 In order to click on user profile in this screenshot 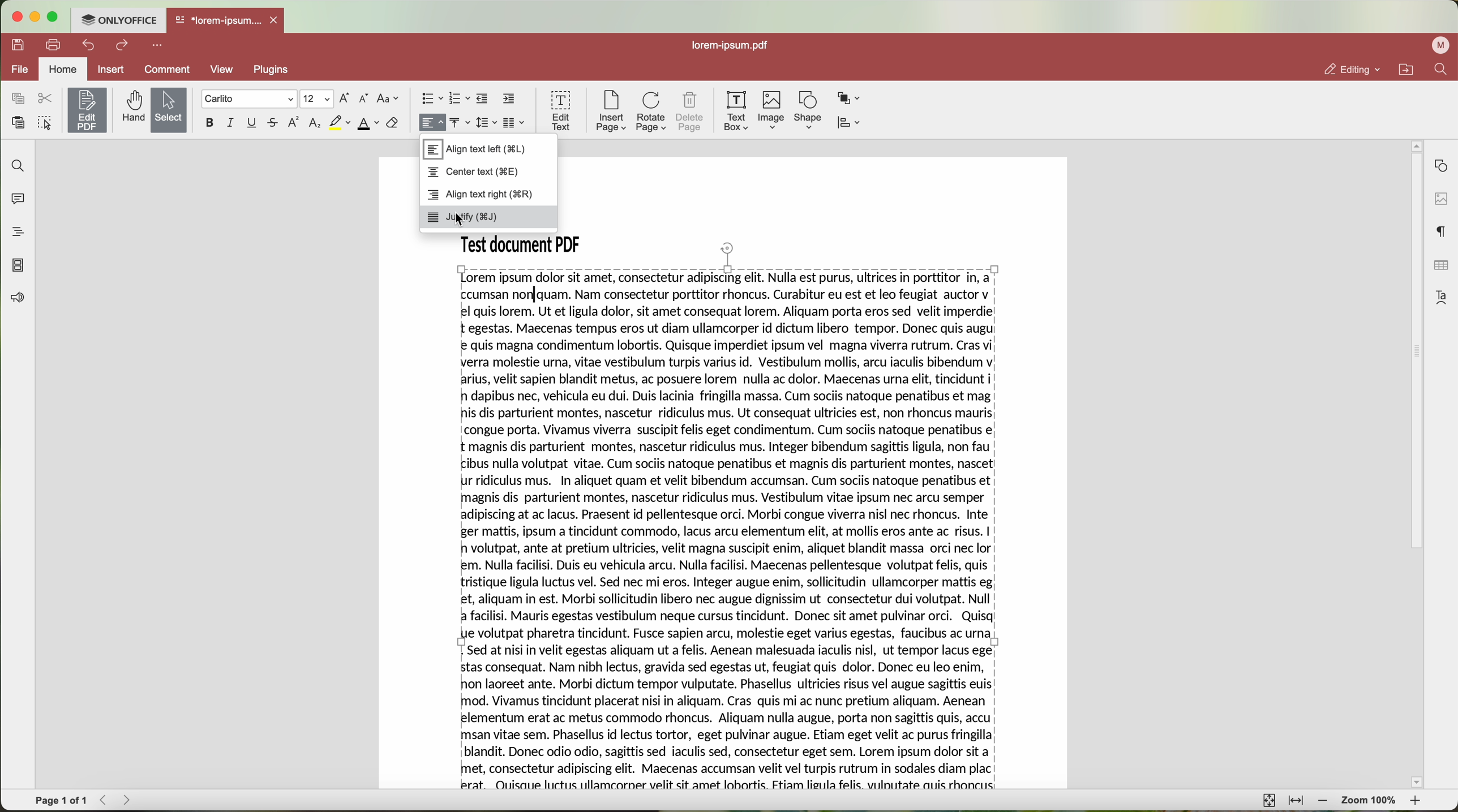, I will do `click(1440, 47)`.